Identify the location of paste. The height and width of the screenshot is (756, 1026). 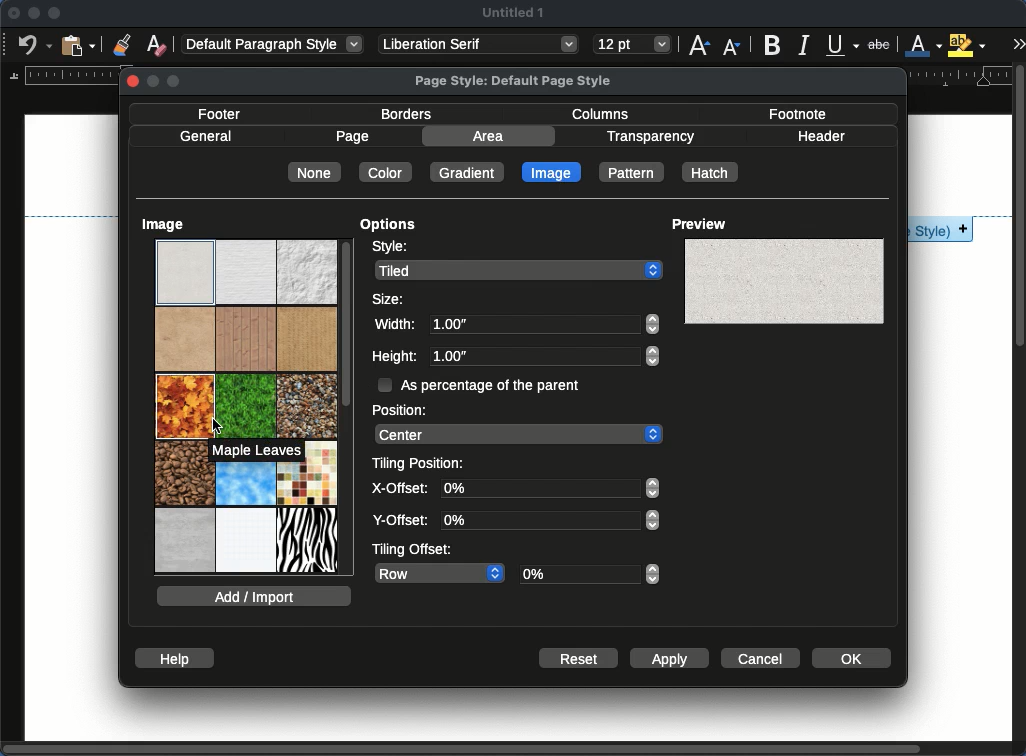
(78, 44).